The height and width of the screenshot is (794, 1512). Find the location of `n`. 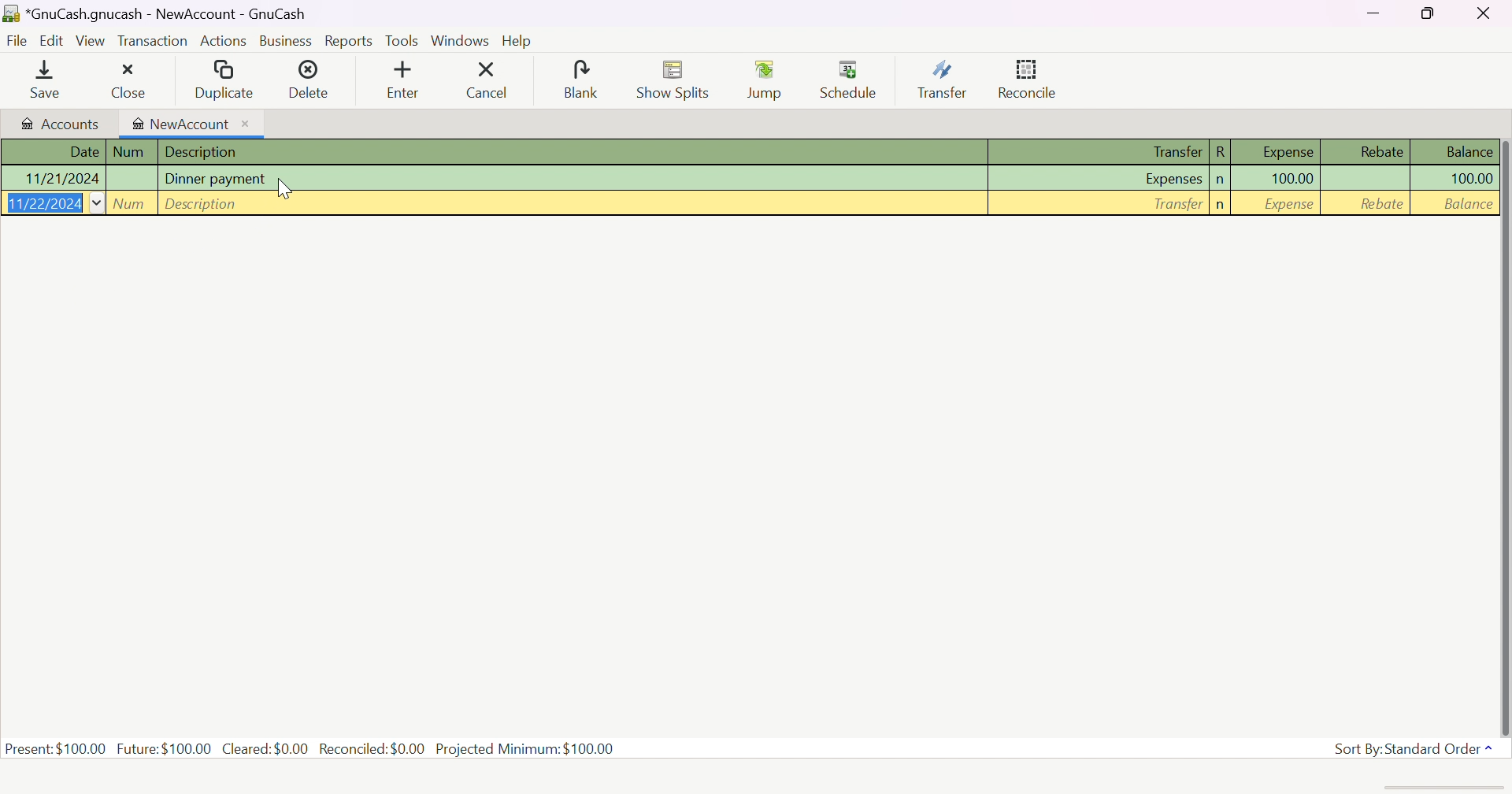

n is located at coordinates (1217, 181).